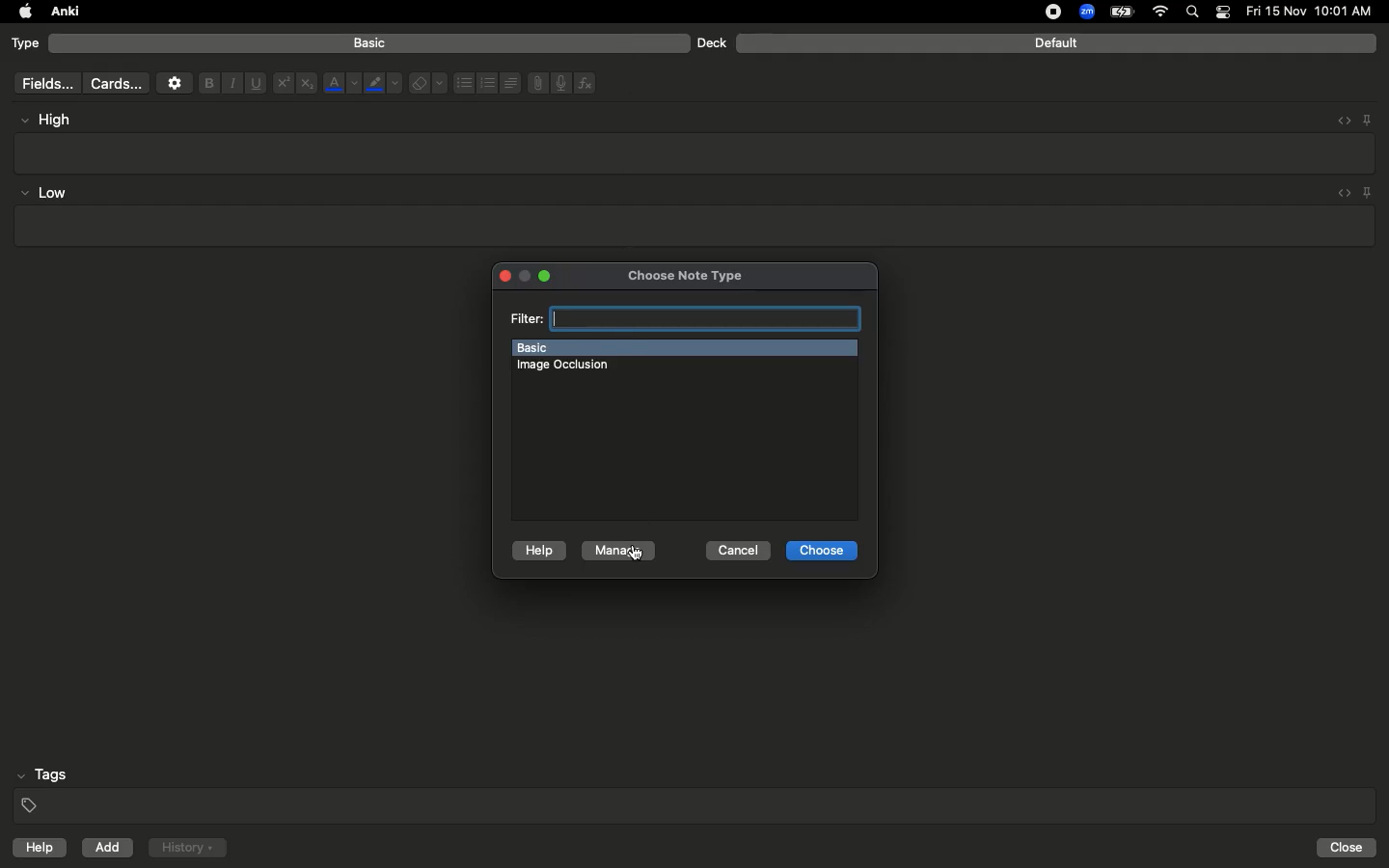 The image size is (1389, 868). What do you see at coordinates (187, 848) in the screenshot?
I see `History` at bounding box center [187, 848].